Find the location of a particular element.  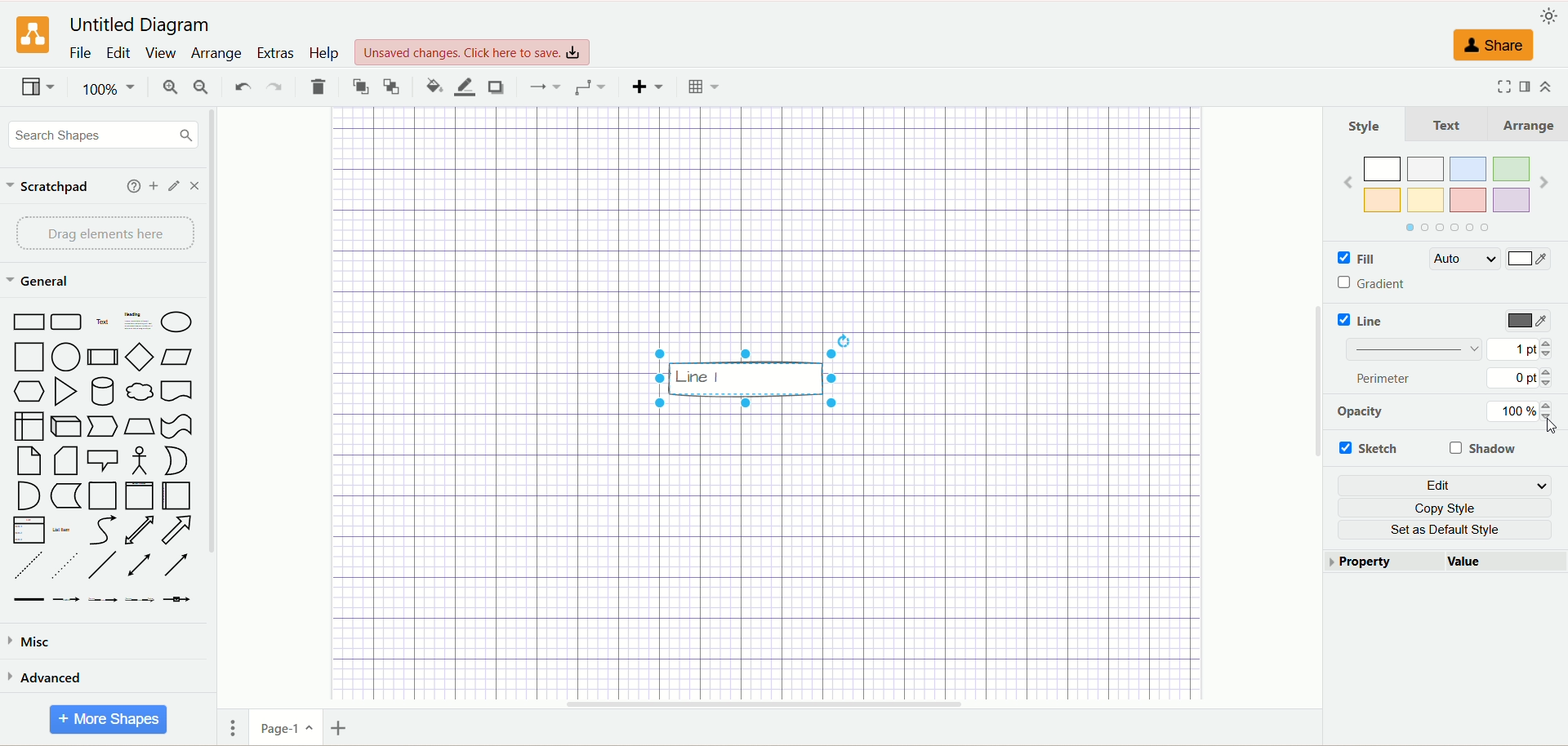

more shapes is located at coordinates (111, 717).